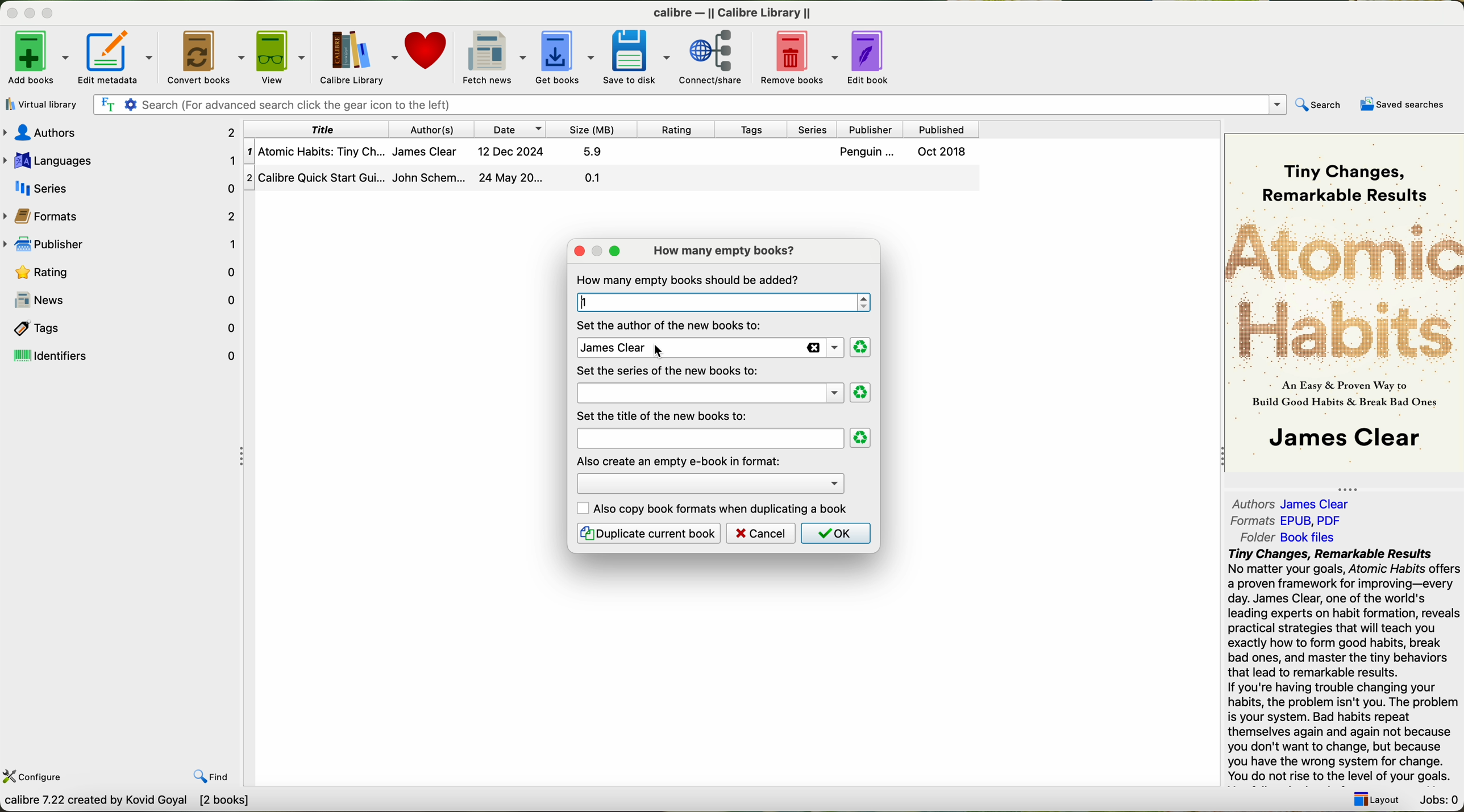  What do you see at coordinates (947, 127) in the screenshot?
I see `published` at bounding box center [947, 127].